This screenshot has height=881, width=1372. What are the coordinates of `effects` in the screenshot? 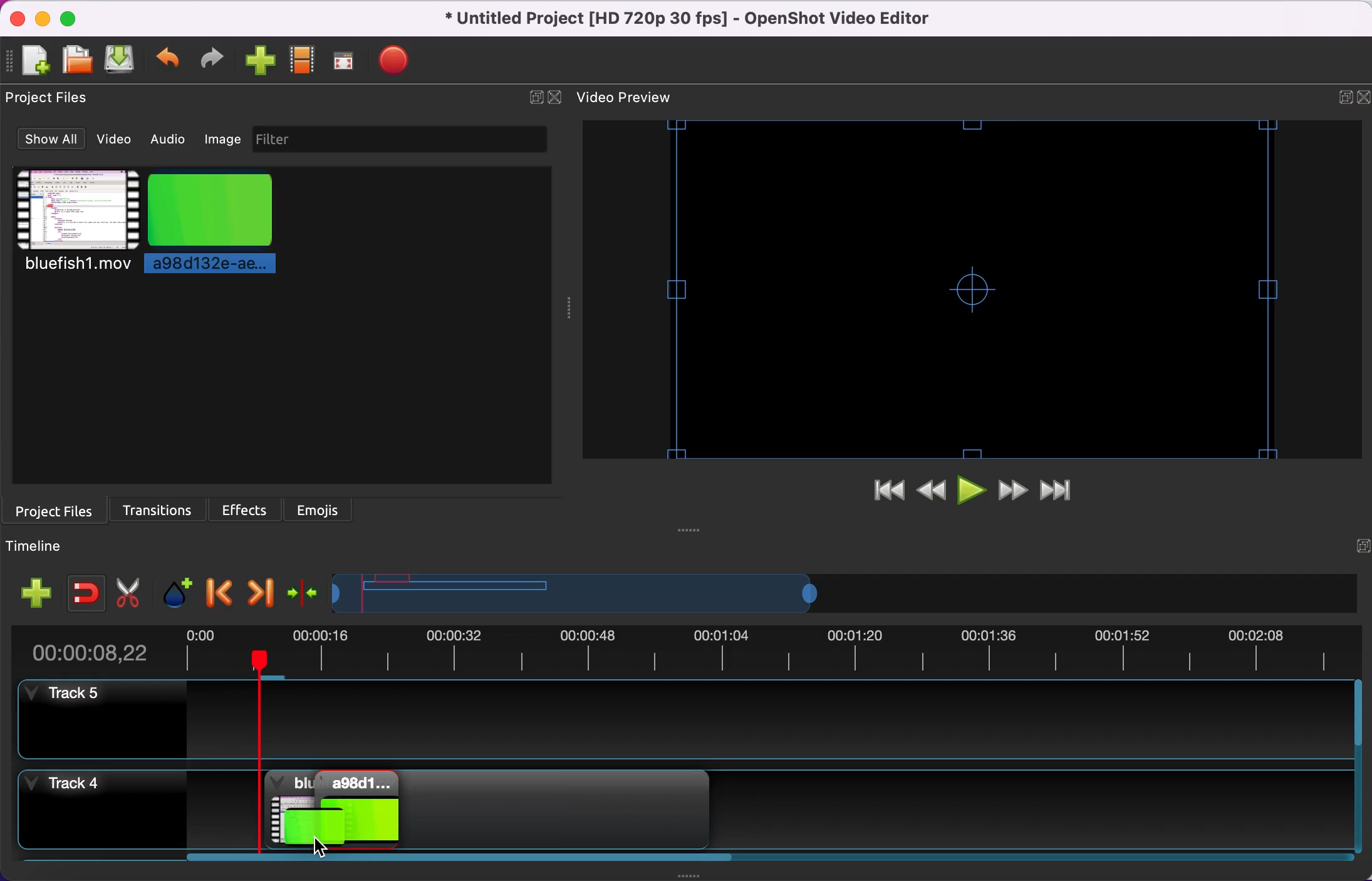 It's located at (245, 509).